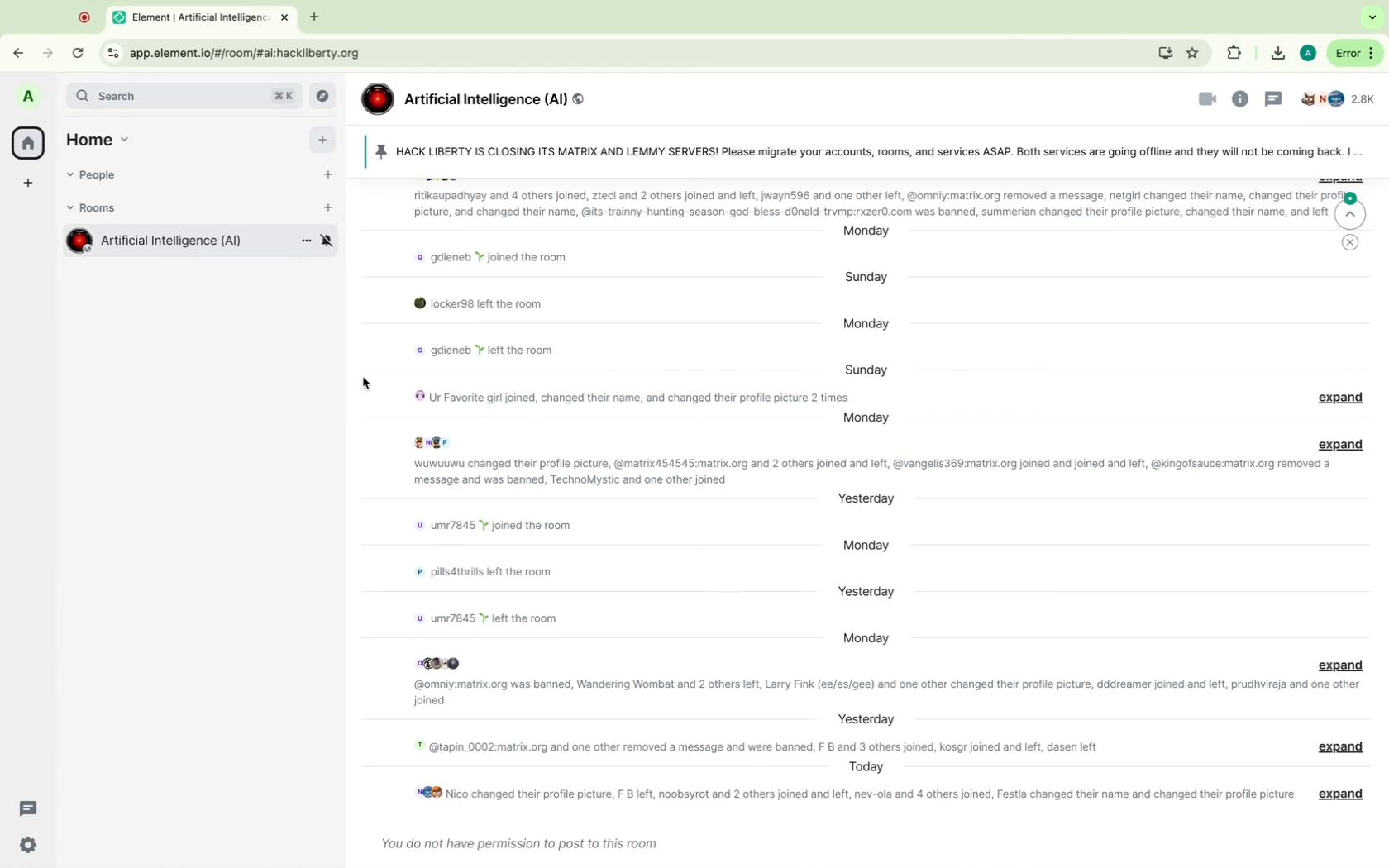  What do you see at coordinates (851, 796) in the screenshot?
I see `message` at bounding box center [851, 796].